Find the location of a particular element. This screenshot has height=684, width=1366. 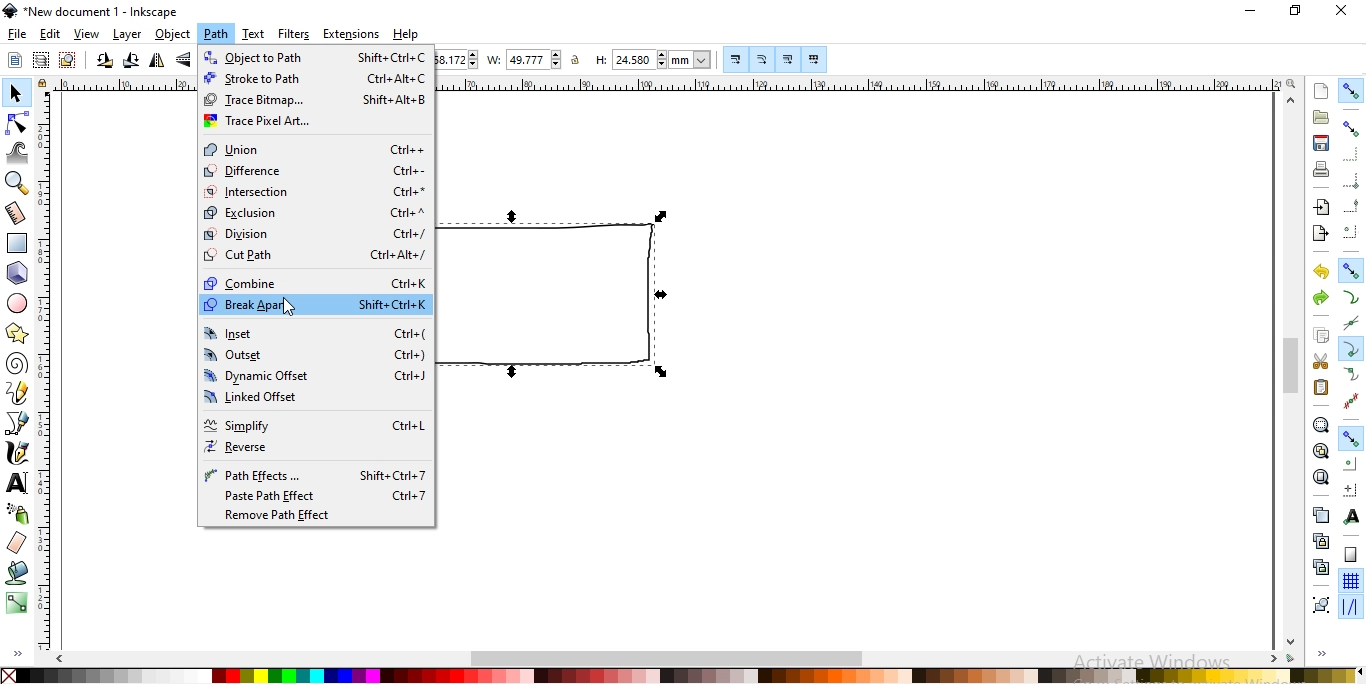

snap nodes, paths and handles is located at coordinates (1351, 271).